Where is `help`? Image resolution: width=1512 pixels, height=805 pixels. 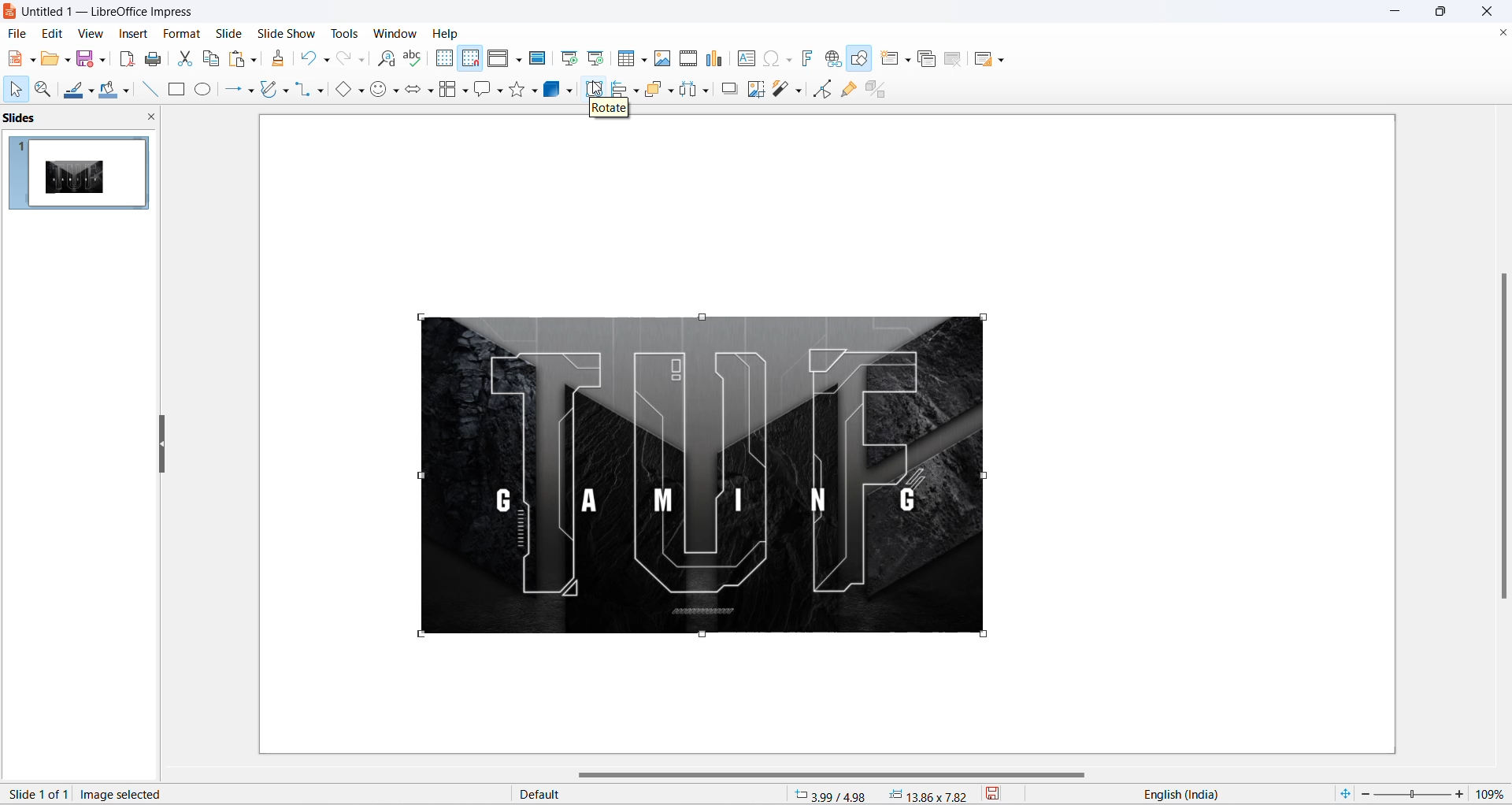 help is located at coordinates (447, 33).